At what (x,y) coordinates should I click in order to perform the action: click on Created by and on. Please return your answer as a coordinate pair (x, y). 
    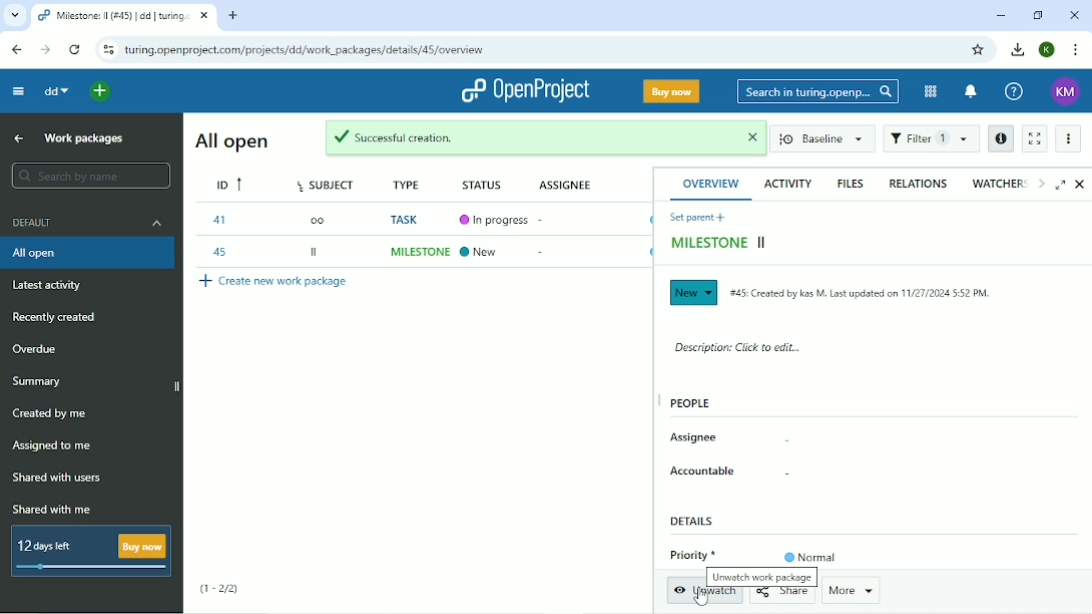
    Looking at the image, I should click on (861, 293).